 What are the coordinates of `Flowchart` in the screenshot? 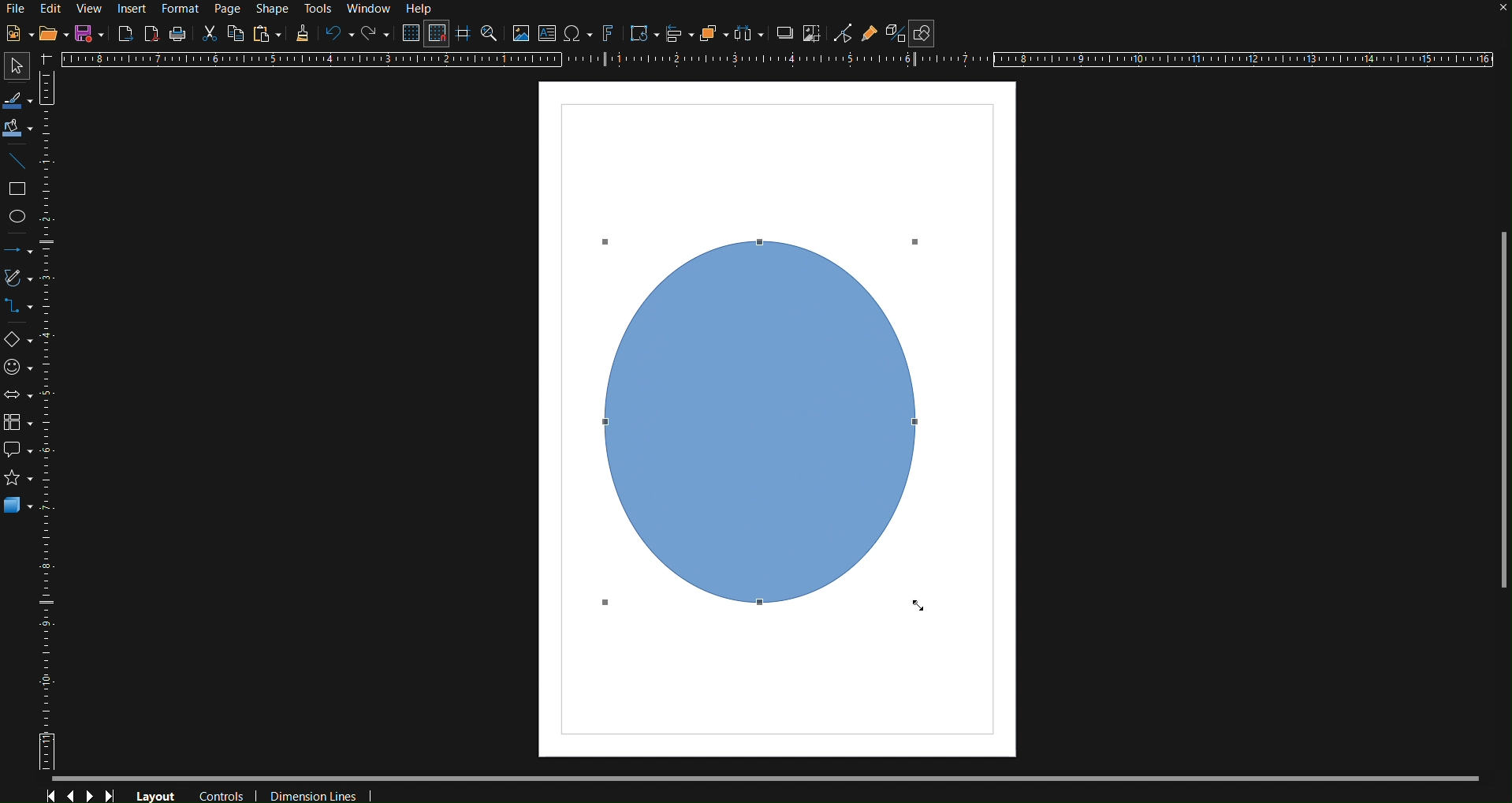 It's located at (22, 420).